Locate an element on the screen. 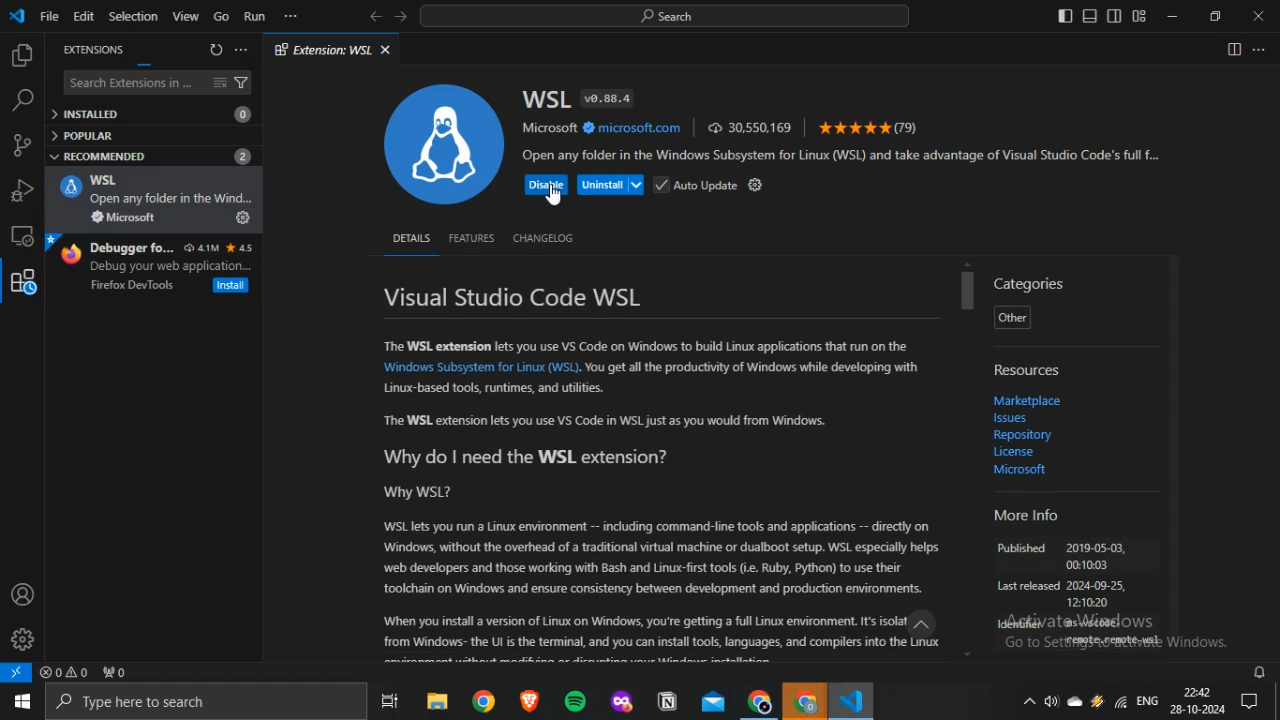  brave is located at coordinates (530, 699).